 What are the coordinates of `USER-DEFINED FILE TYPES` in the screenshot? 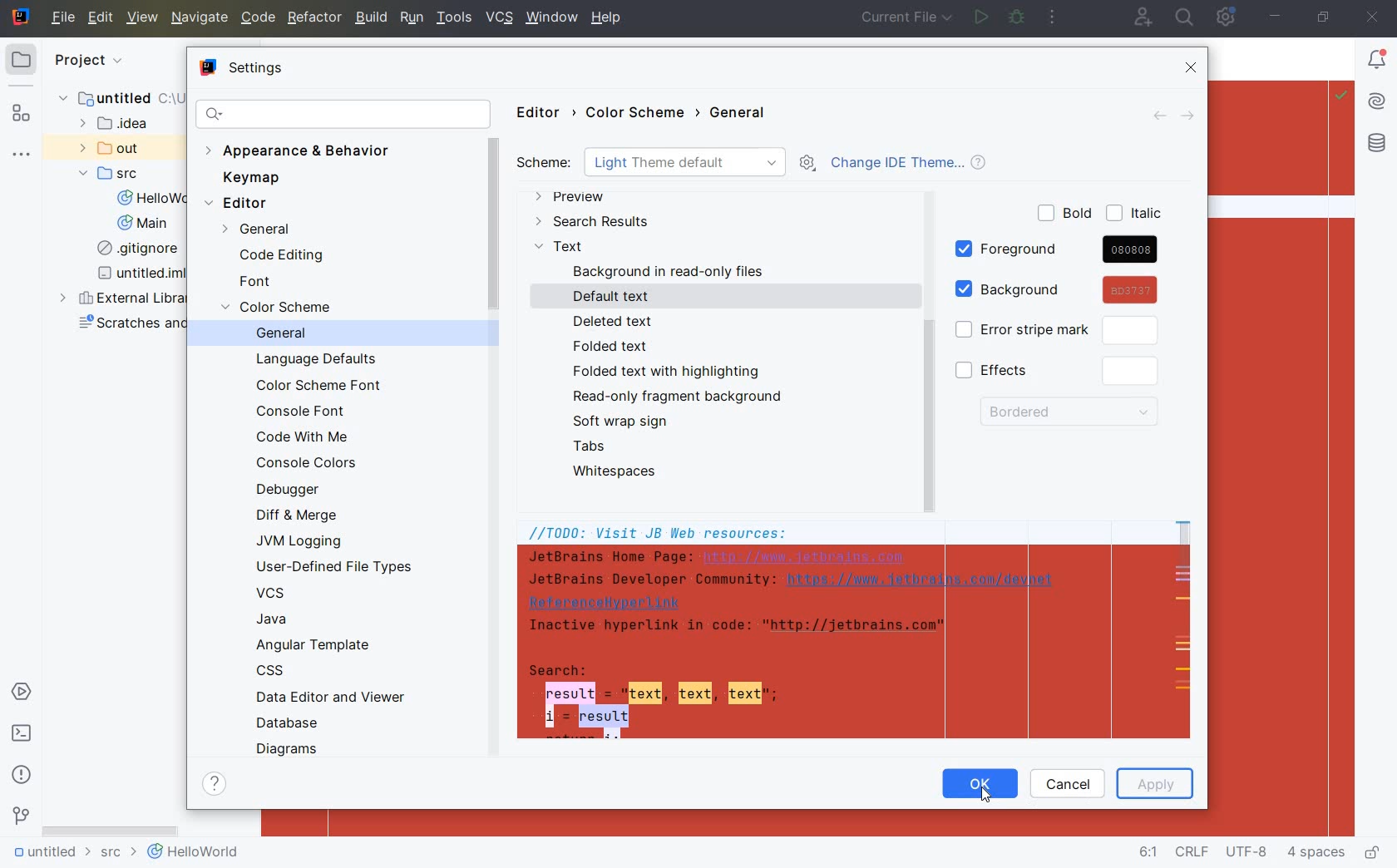 It's located at (334, 567).